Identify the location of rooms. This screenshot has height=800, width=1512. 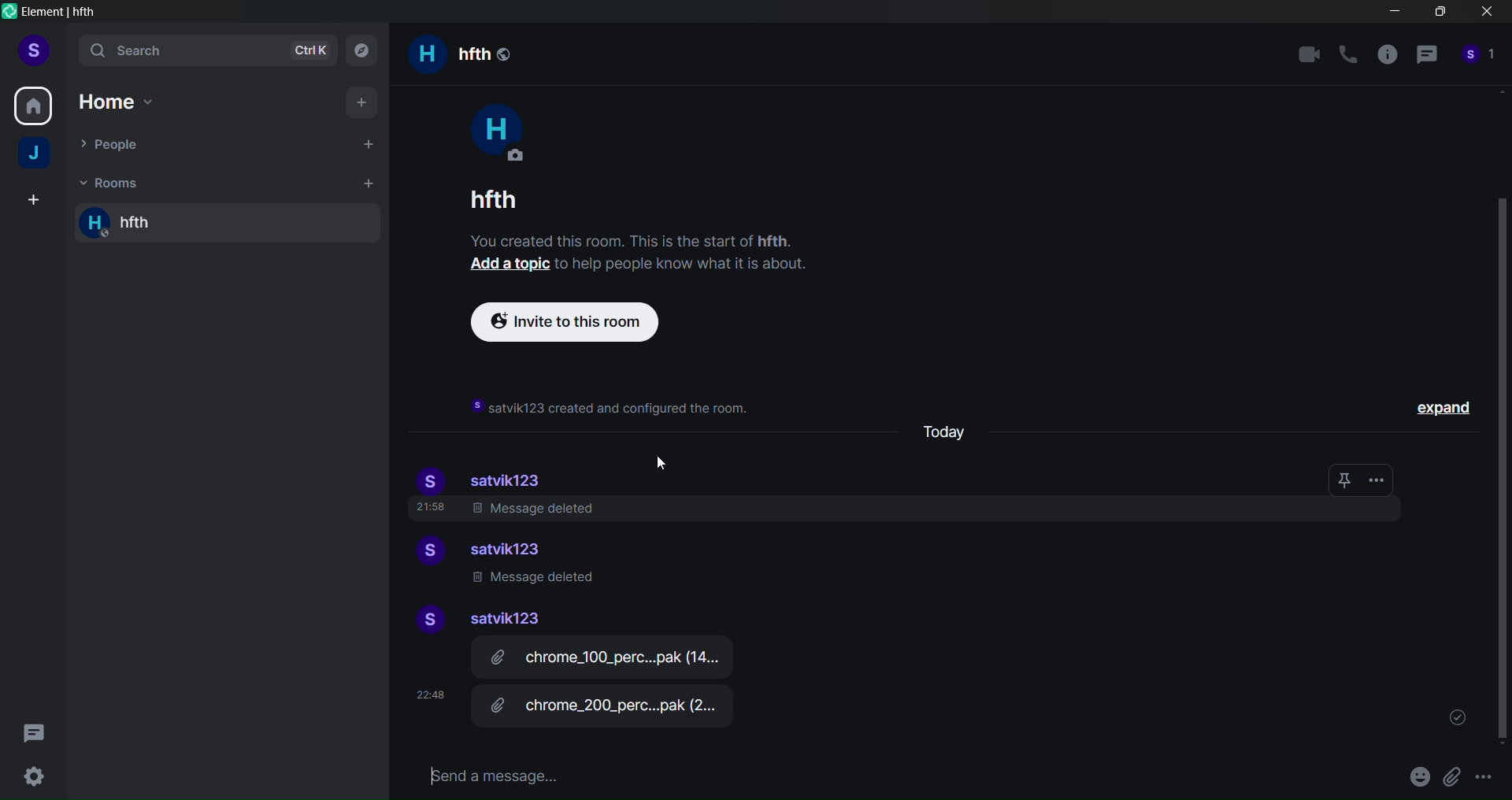
(111, 181).